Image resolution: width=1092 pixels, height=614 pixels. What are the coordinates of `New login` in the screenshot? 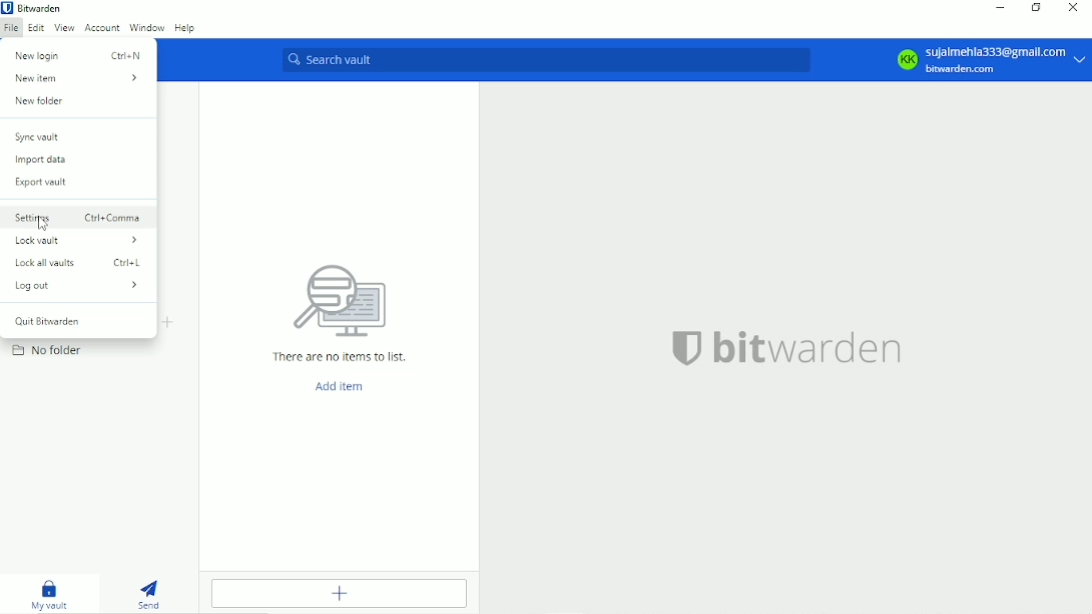 It's located at (78, 56).